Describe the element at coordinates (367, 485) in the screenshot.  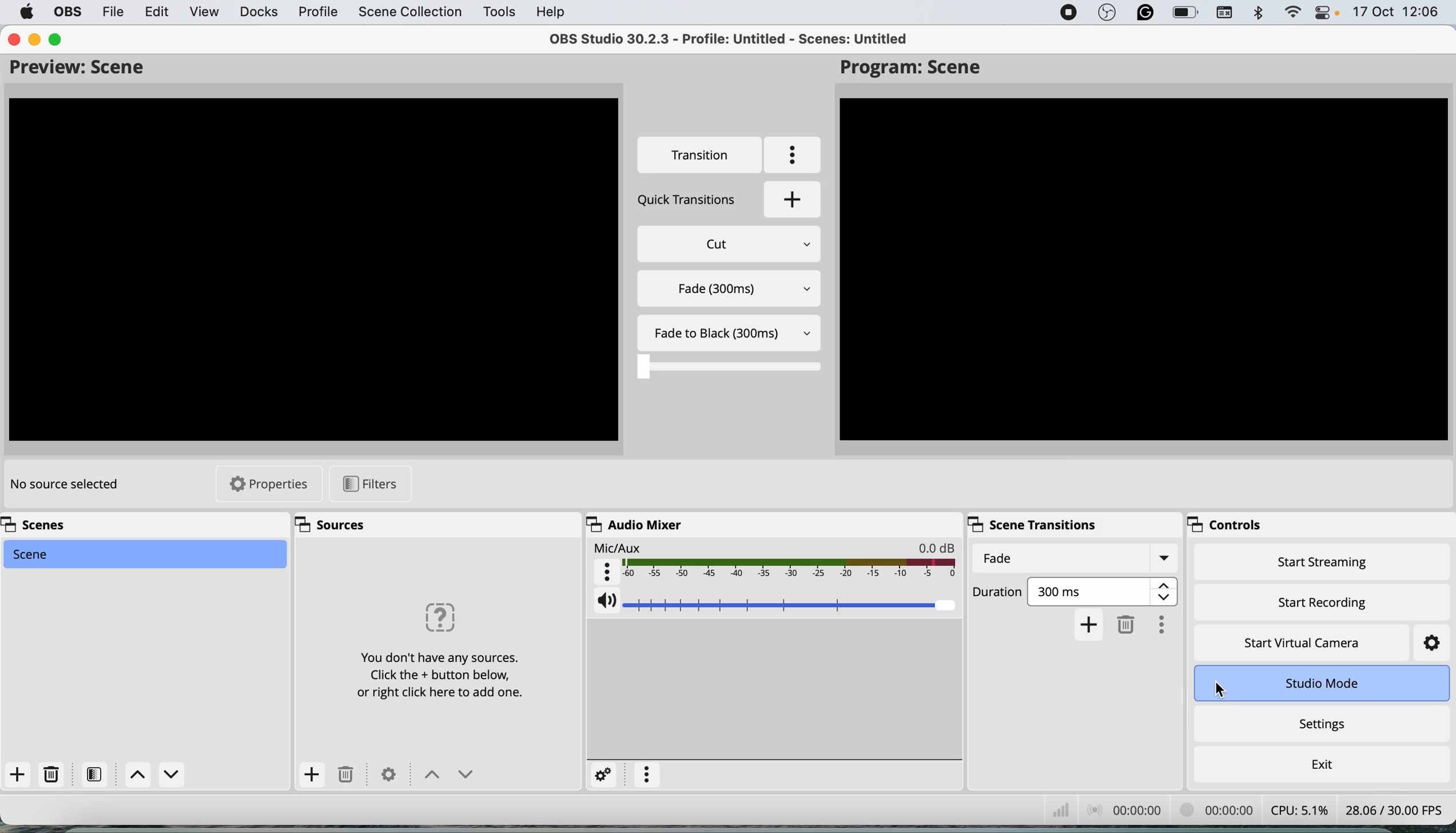
I see `filters` at that location.